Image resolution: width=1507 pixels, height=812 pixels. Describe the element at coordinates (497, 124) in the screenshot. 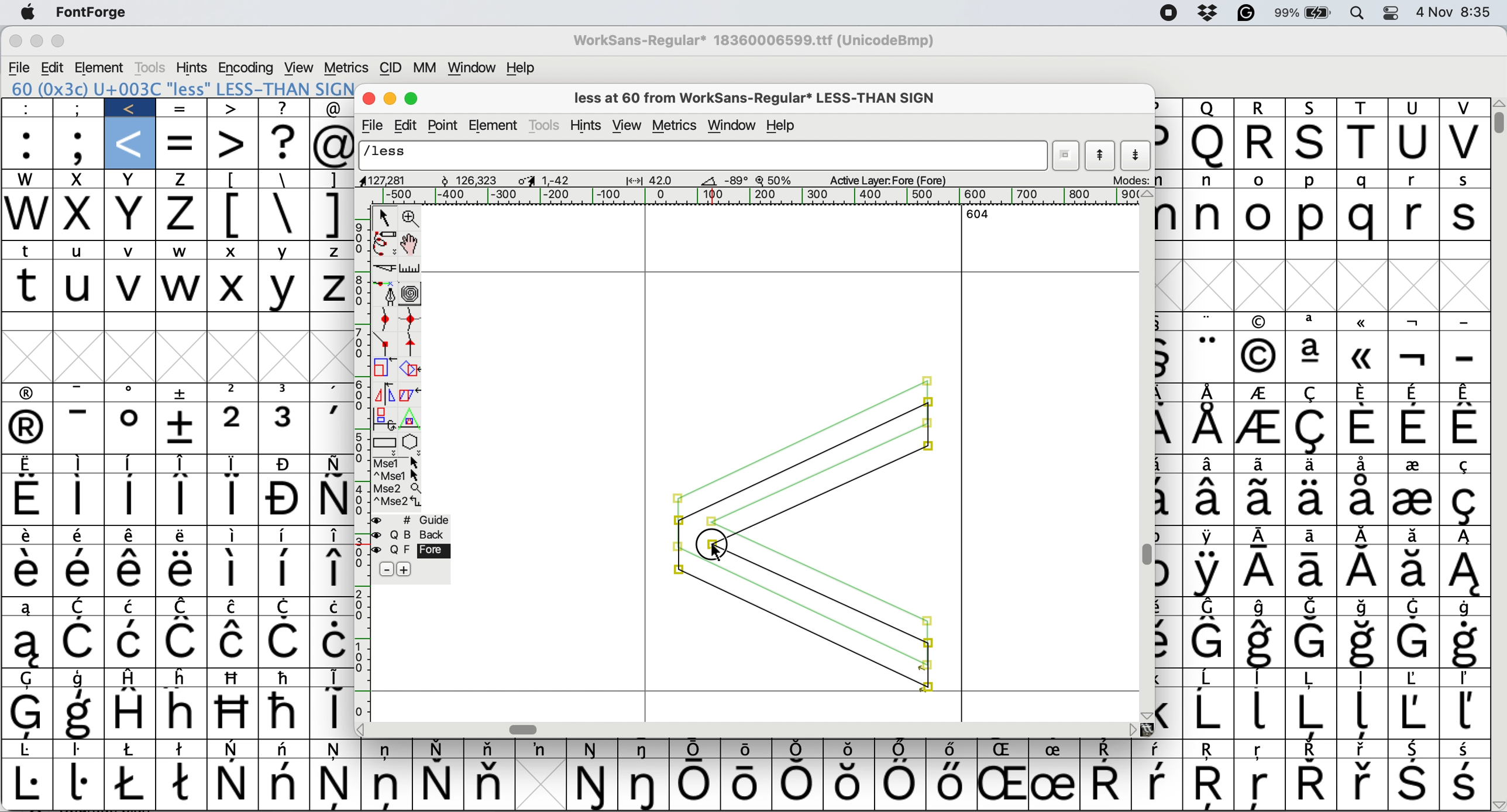

I see `element` at that location.